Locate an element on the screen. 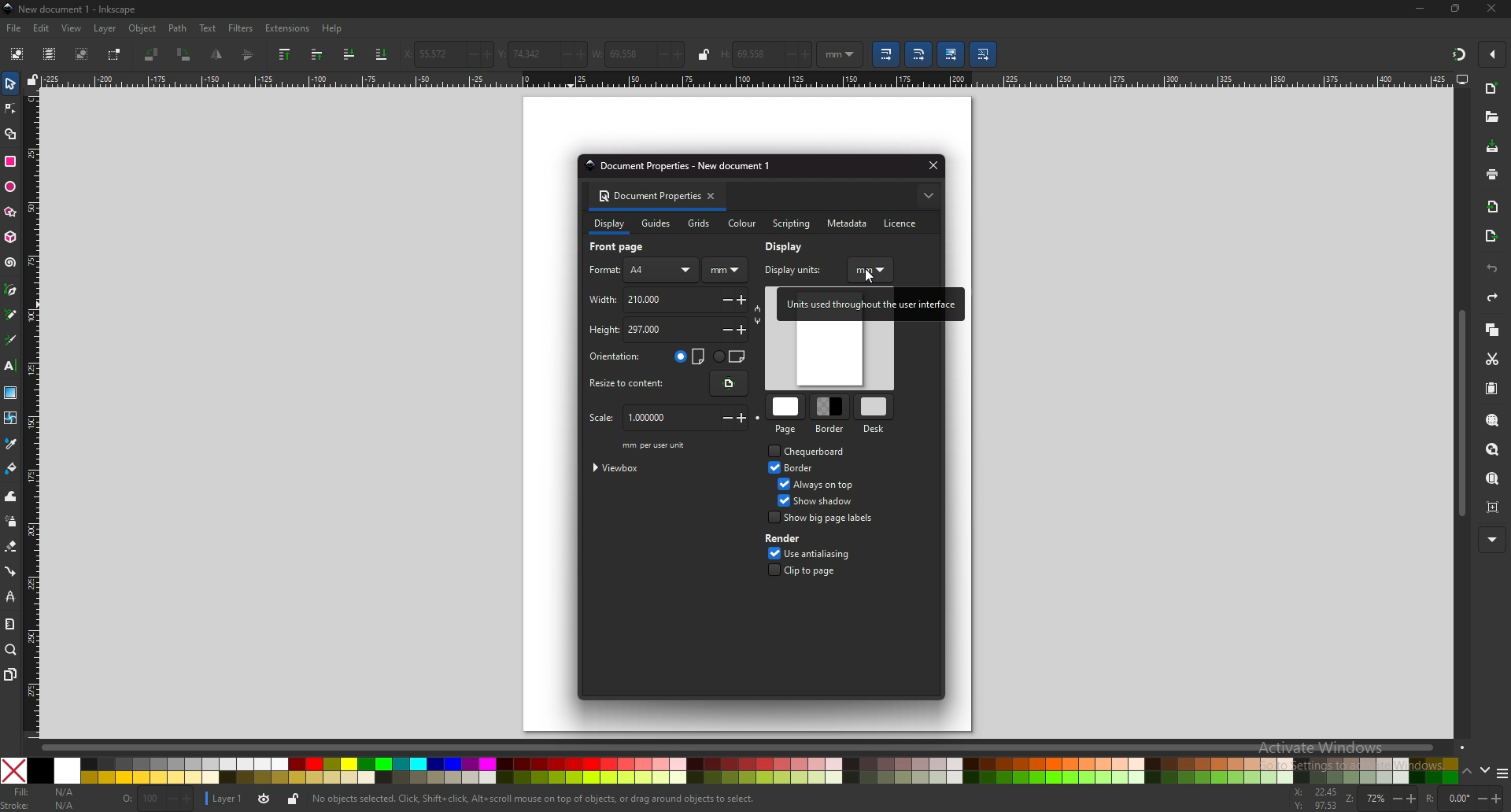 This screenshot has height=812, width=1511. scroll bar is located at coordinates (756, 746).